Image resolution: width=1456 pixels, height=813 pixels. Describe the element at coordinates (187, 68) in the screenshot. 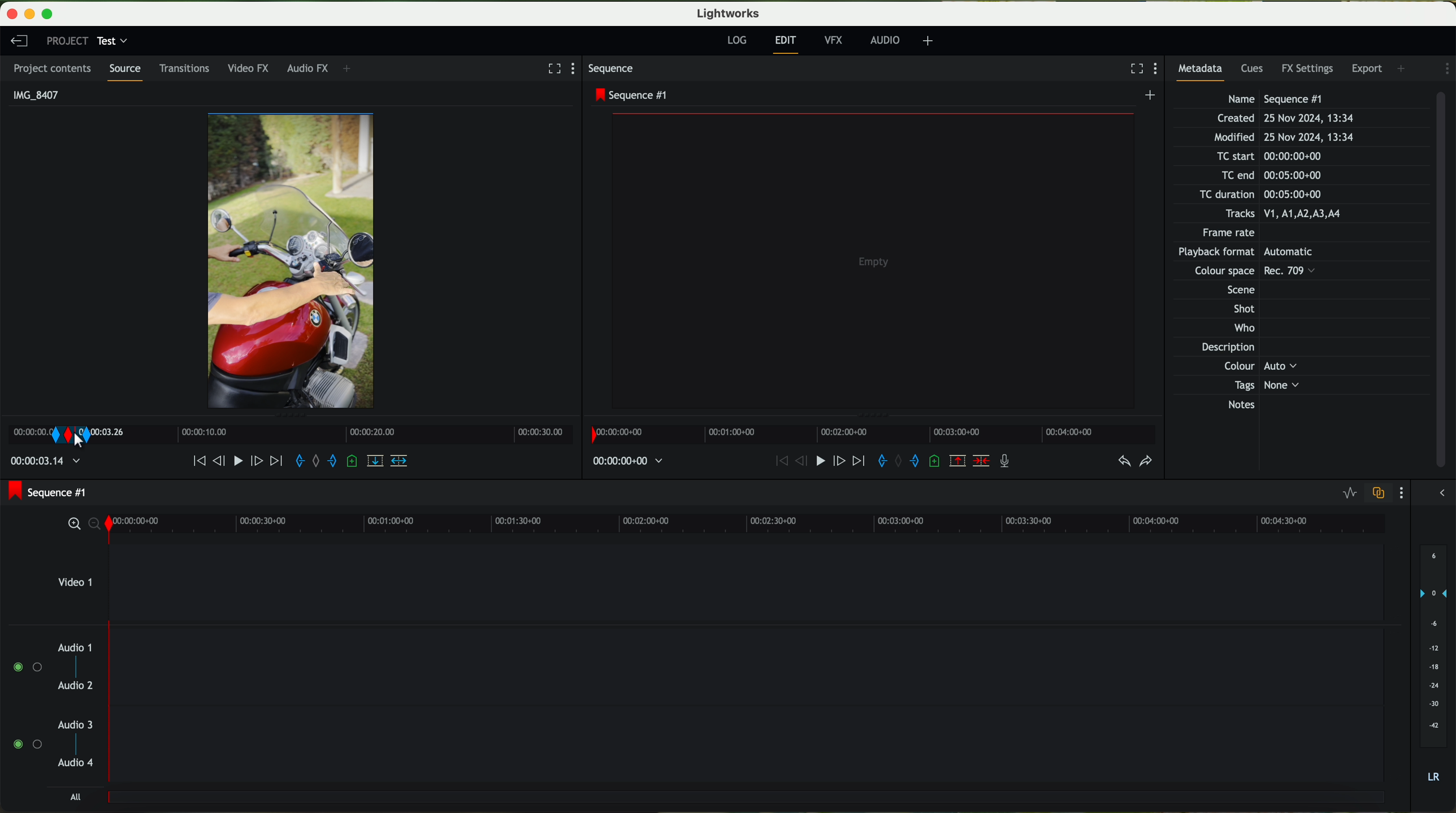

I see `transitions` at that location.